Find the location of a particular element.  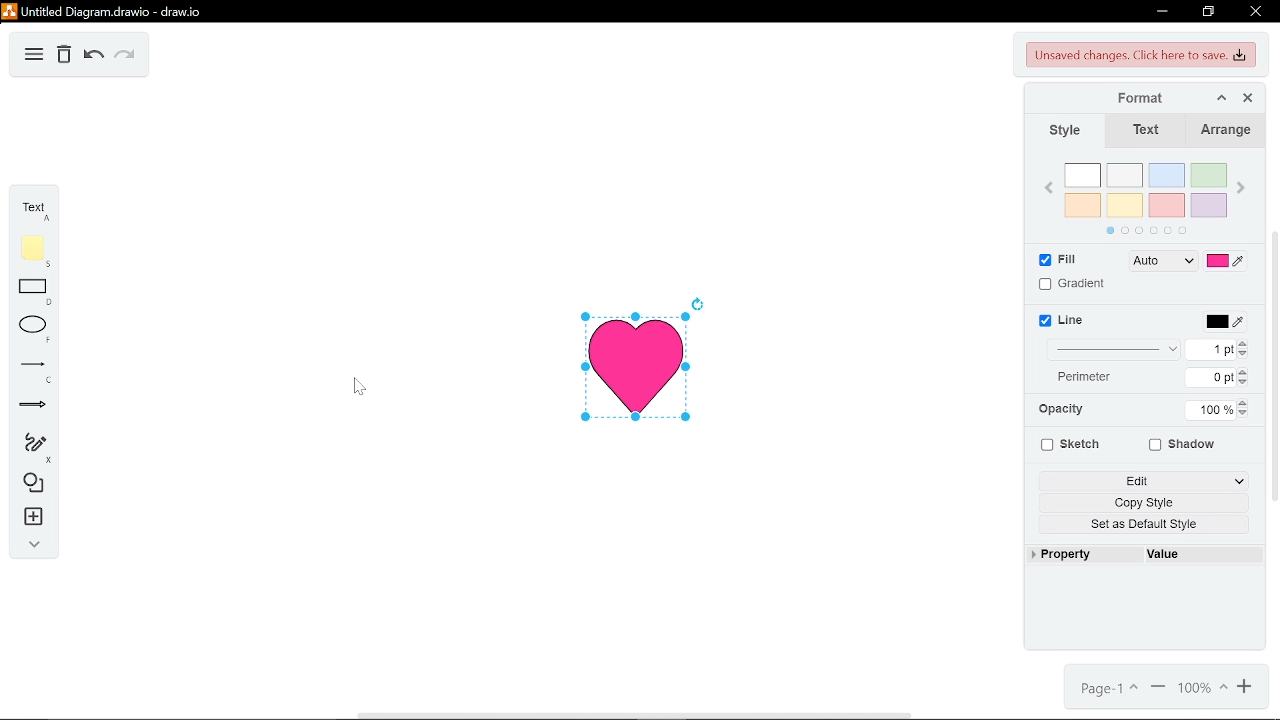

0pt is located at coordinates (1218, 378).